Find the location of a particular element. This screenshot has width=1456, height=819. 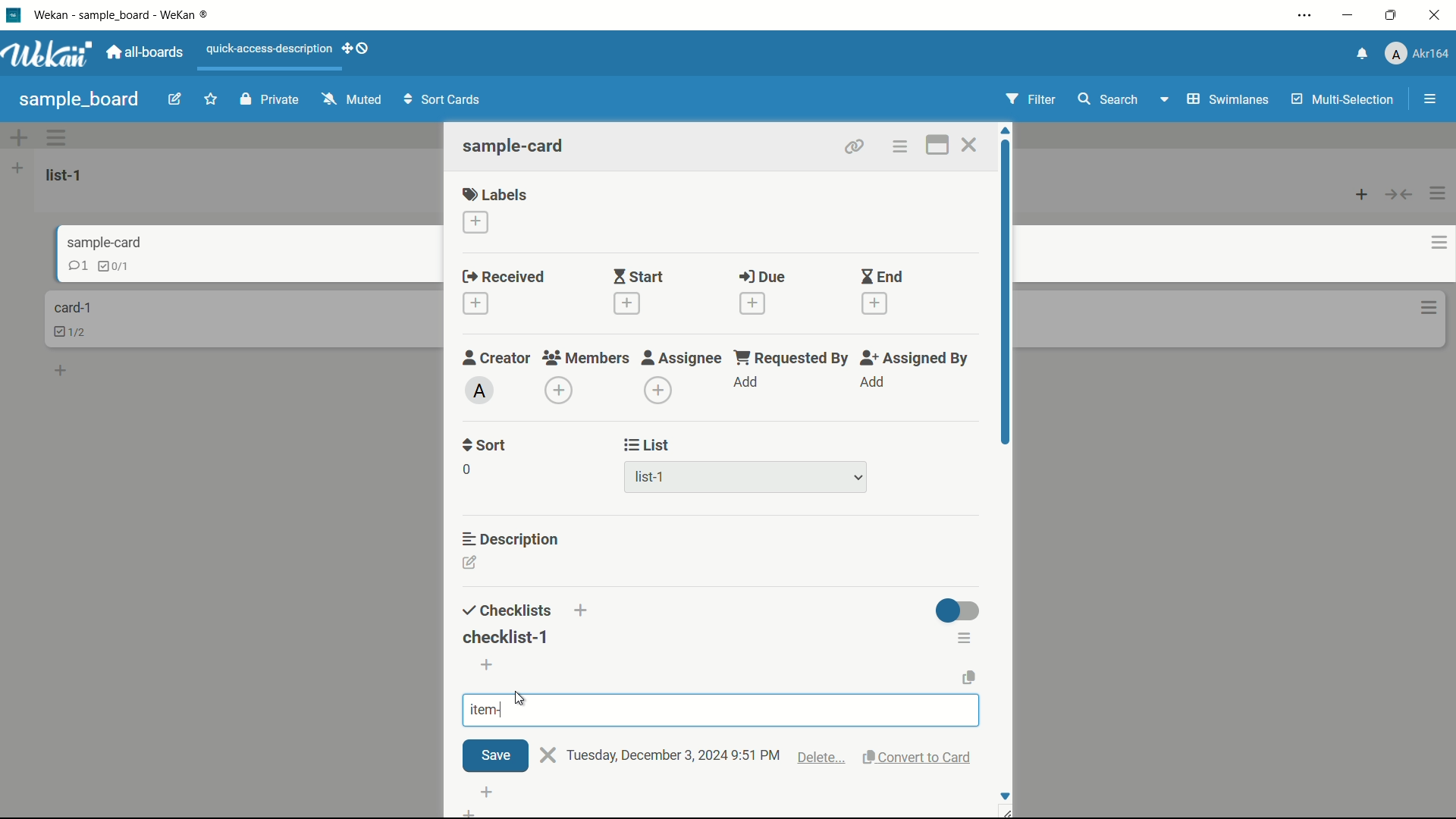

due is located at coordinates (763, 277).